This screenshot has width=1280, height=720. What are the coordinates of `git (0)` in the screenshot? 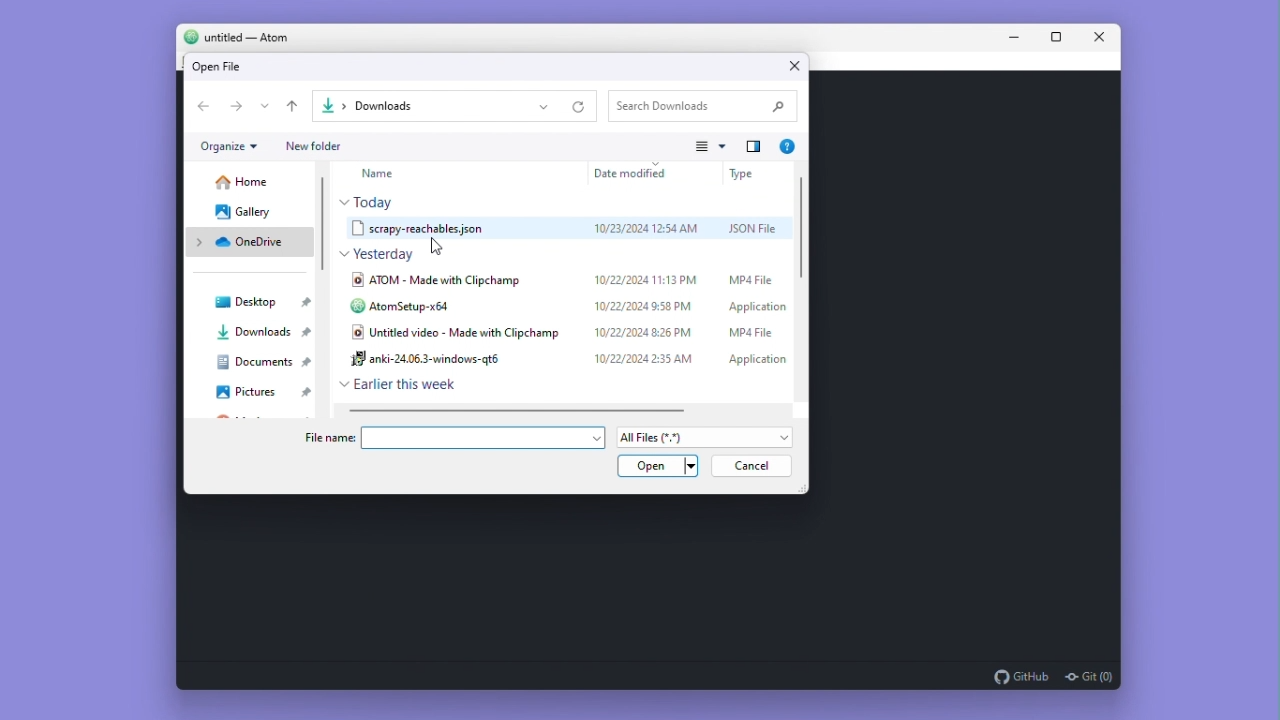 It's located at (1087, 676).